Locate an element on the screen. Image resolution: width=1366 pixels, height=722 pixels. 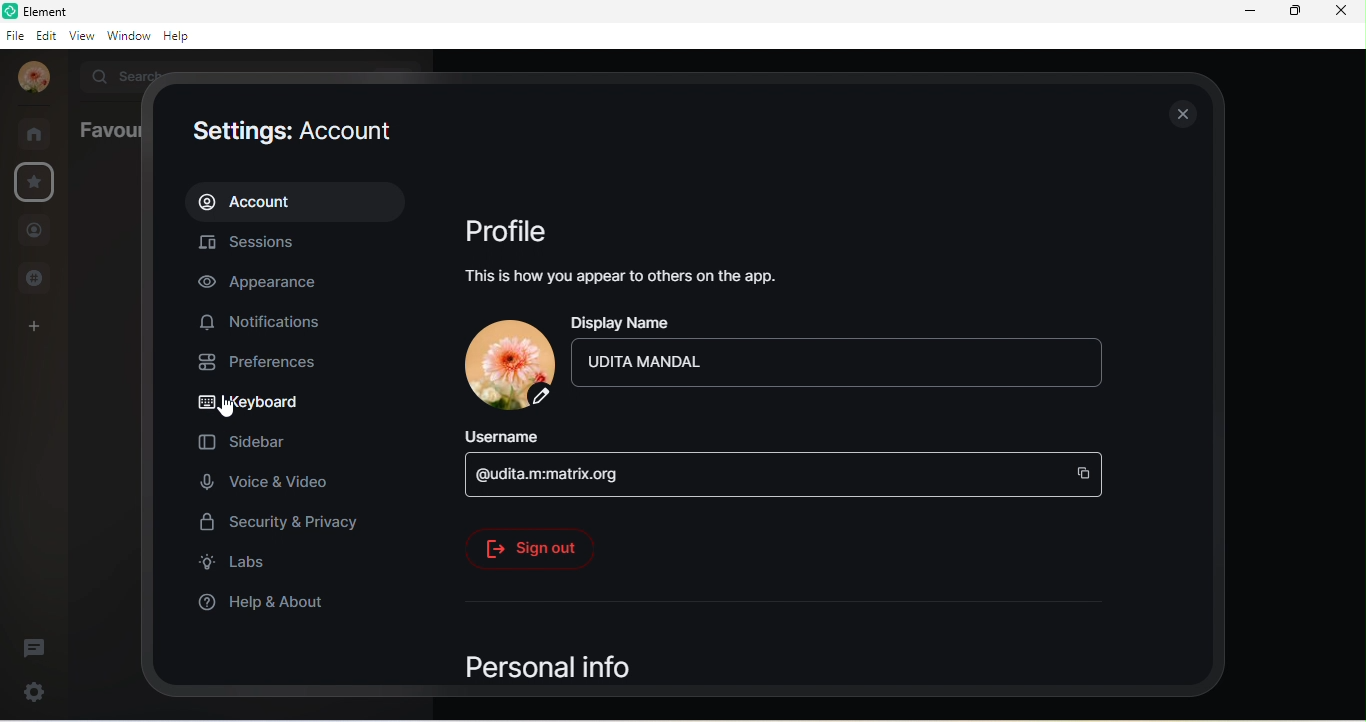
help and about is located at coordinates (262, 603).